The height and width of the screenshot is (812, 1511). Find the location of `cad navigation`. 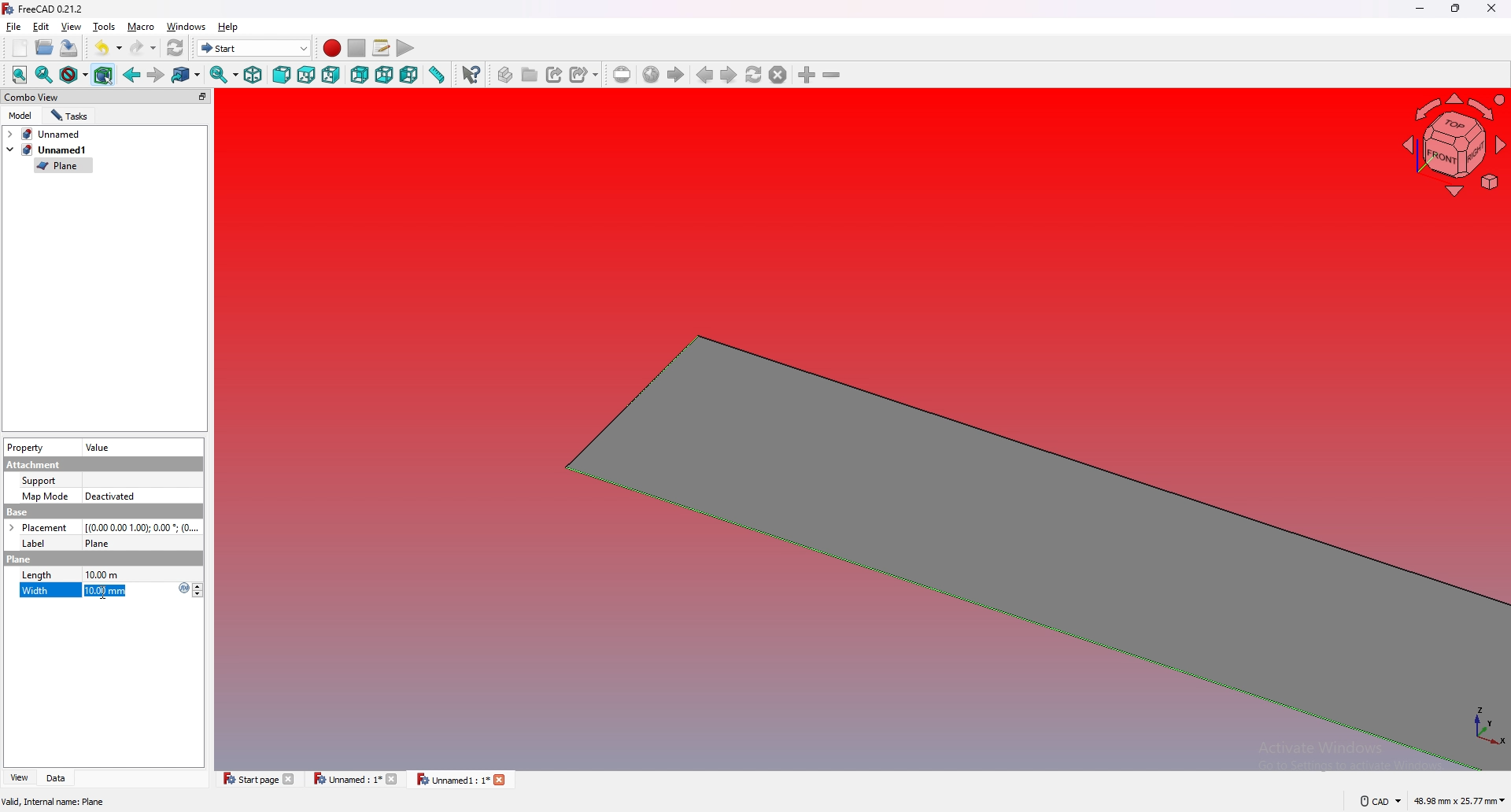

cad navigation is located at coordinates (1380, 800).